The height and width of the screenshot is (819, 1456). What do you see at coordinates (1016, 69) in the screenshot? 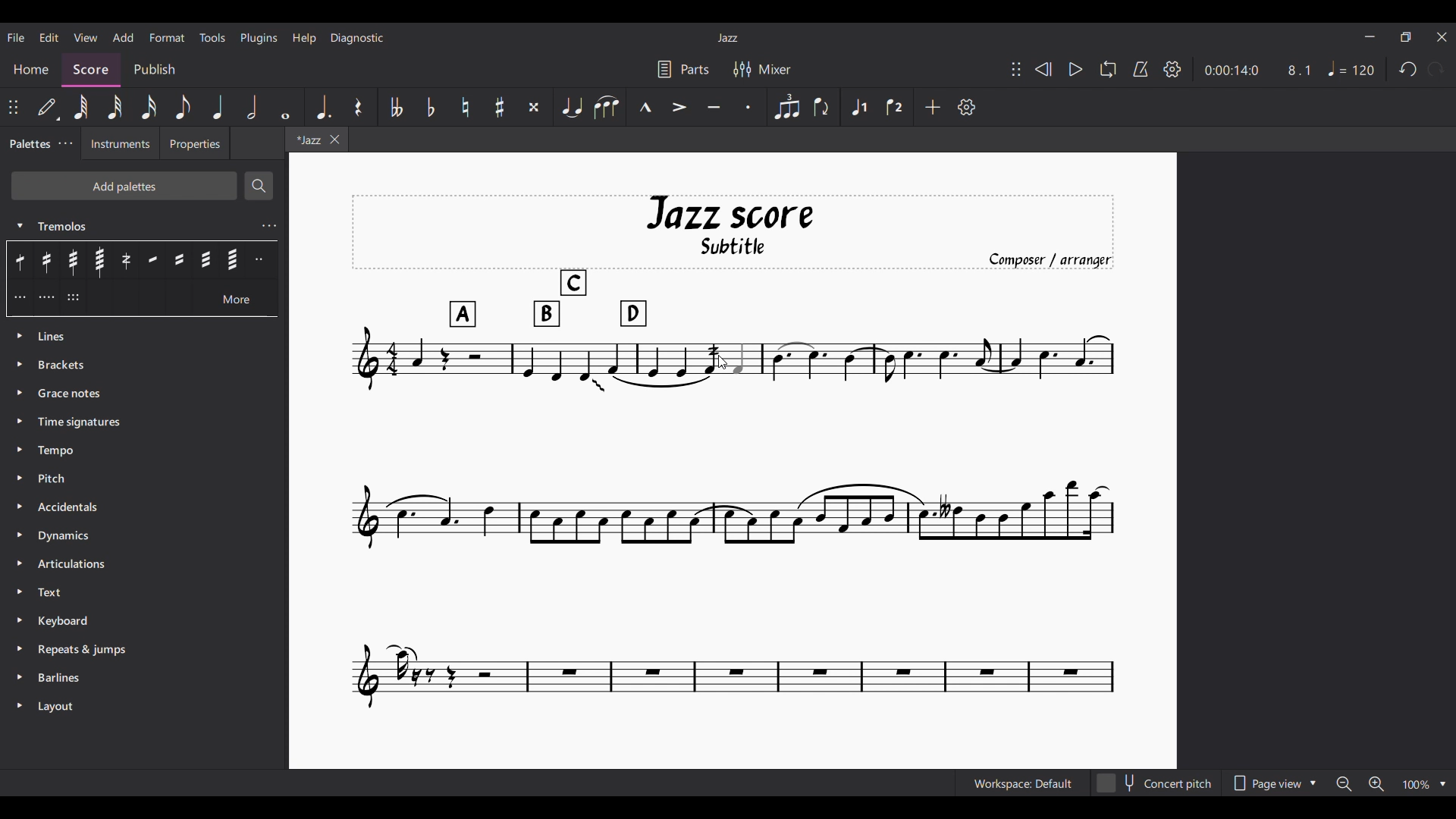
I see `Change position` at bounding box center [1016, 69].